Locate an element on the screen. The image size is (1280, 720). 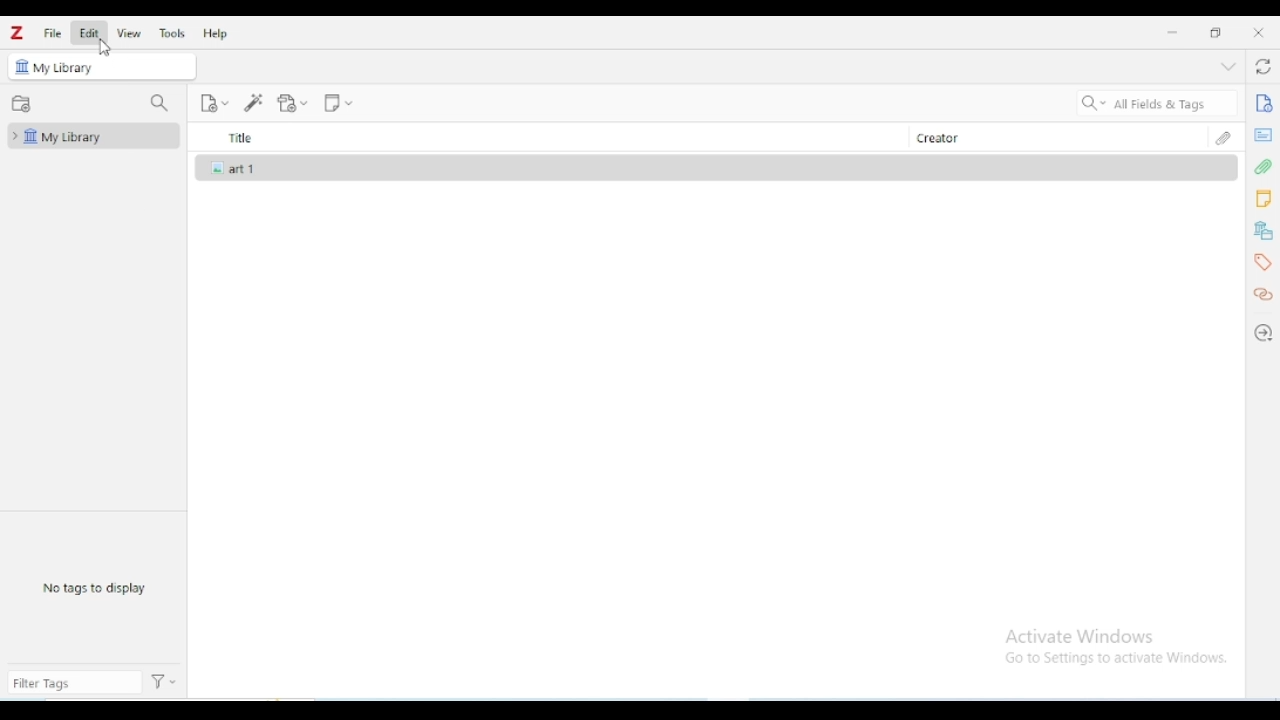
Go to Settings to activate Windows. is located at coordinates (1120, 658).